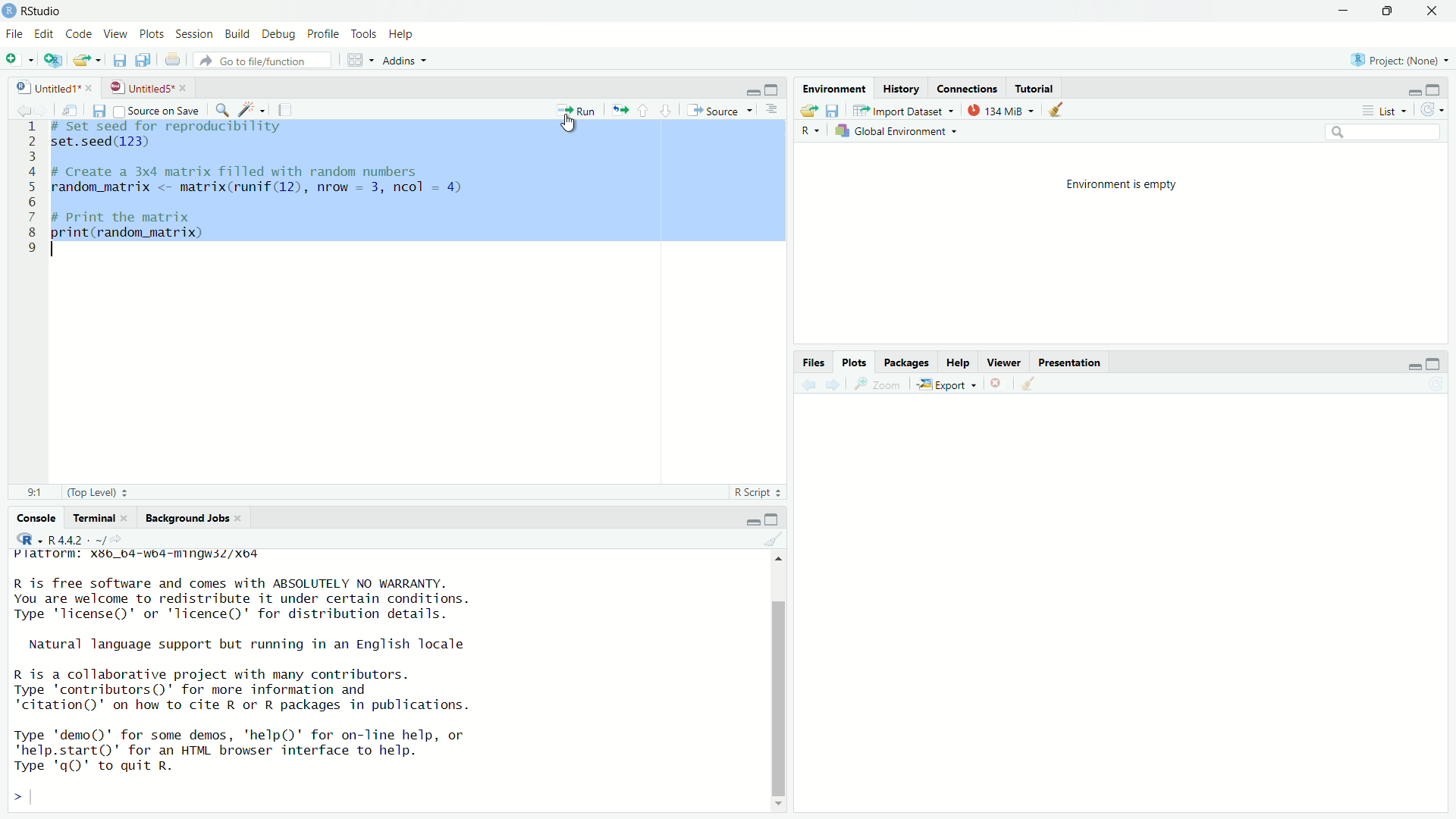  Describe the element at coordinates (898, 133) in the screenshot. I see `kh Global Environment +` at that location.